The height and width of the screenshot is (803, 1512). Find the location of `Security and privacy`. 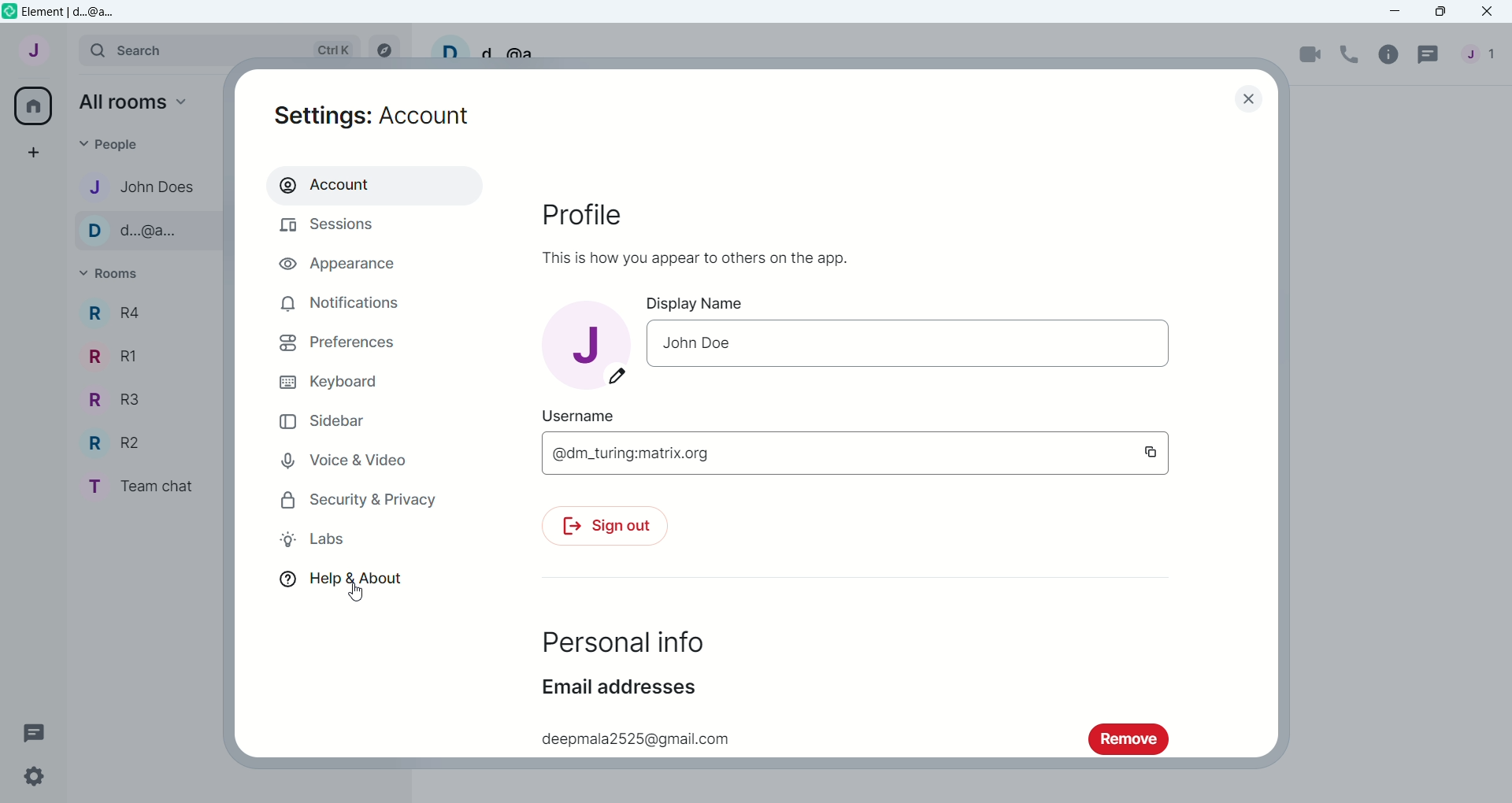

Security and privacy is located at coordinates (358, 500).